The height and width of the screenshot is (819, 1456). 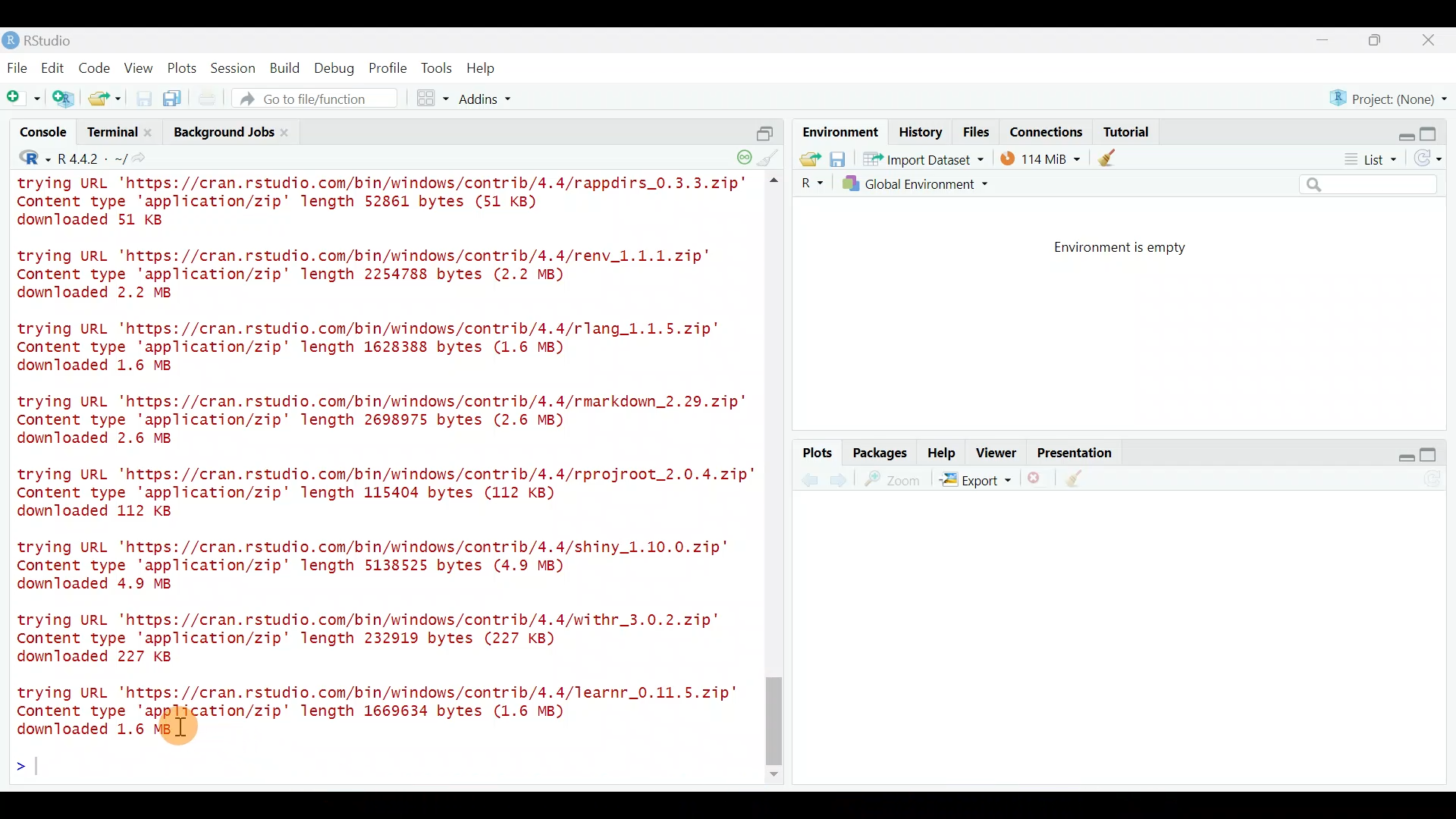 I want to click on Workspace panes, so click(x=434, y=99).